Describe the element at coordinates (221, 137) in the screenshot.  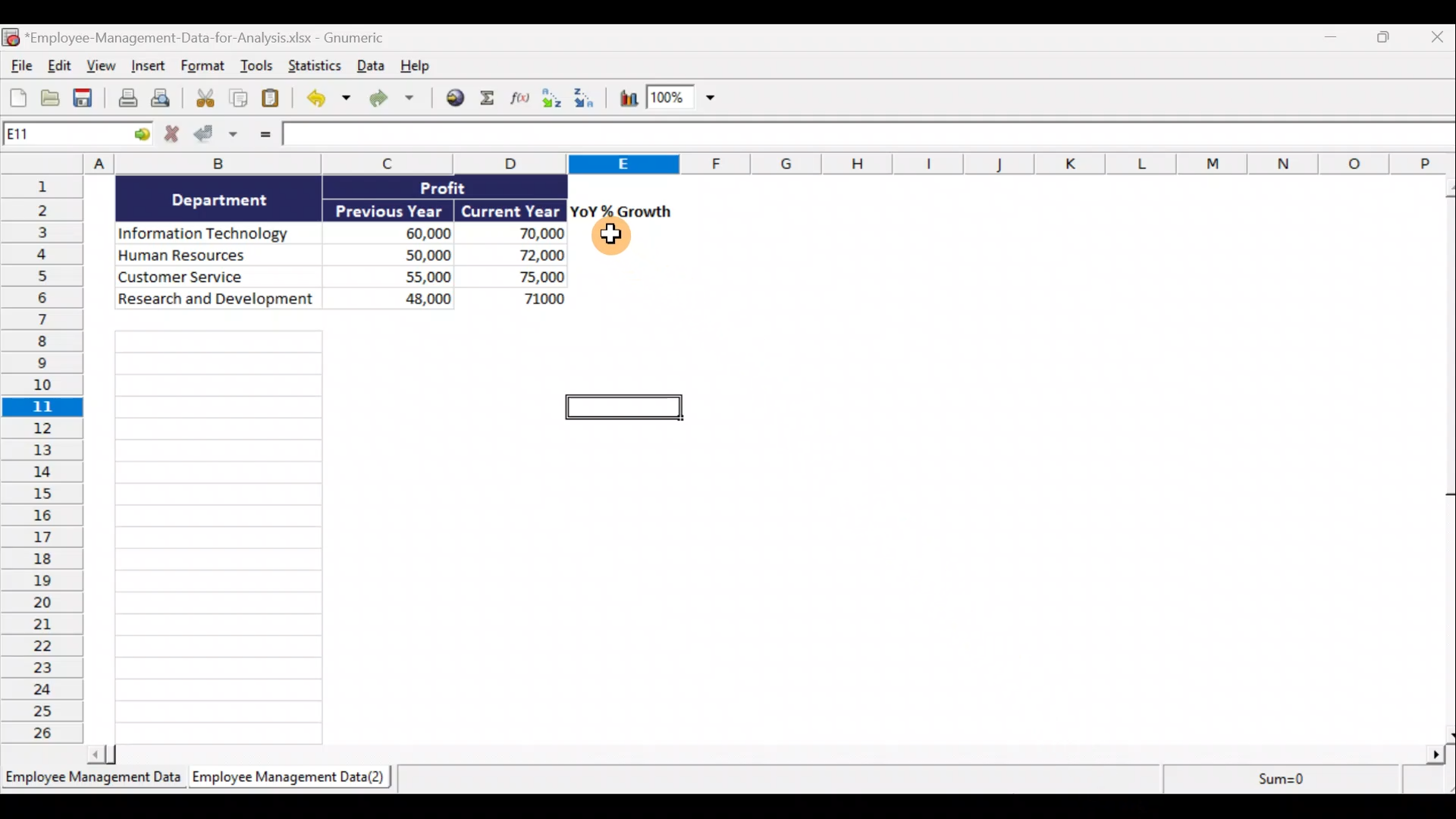
I see `Accept change` at that location.